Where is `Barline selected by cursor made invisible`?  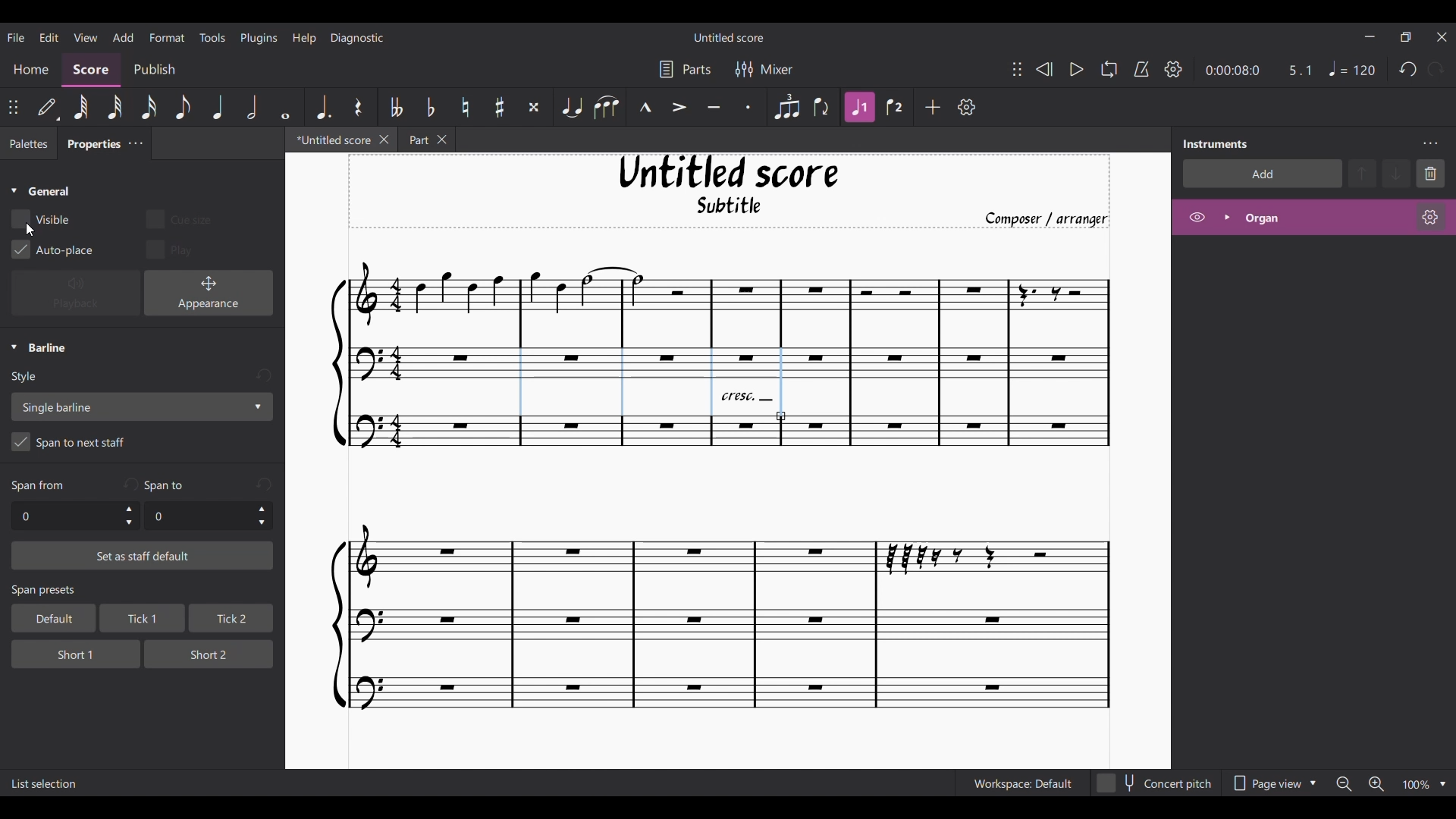 Barline selected by cursor made invisible is located at coordinates (650, 381).